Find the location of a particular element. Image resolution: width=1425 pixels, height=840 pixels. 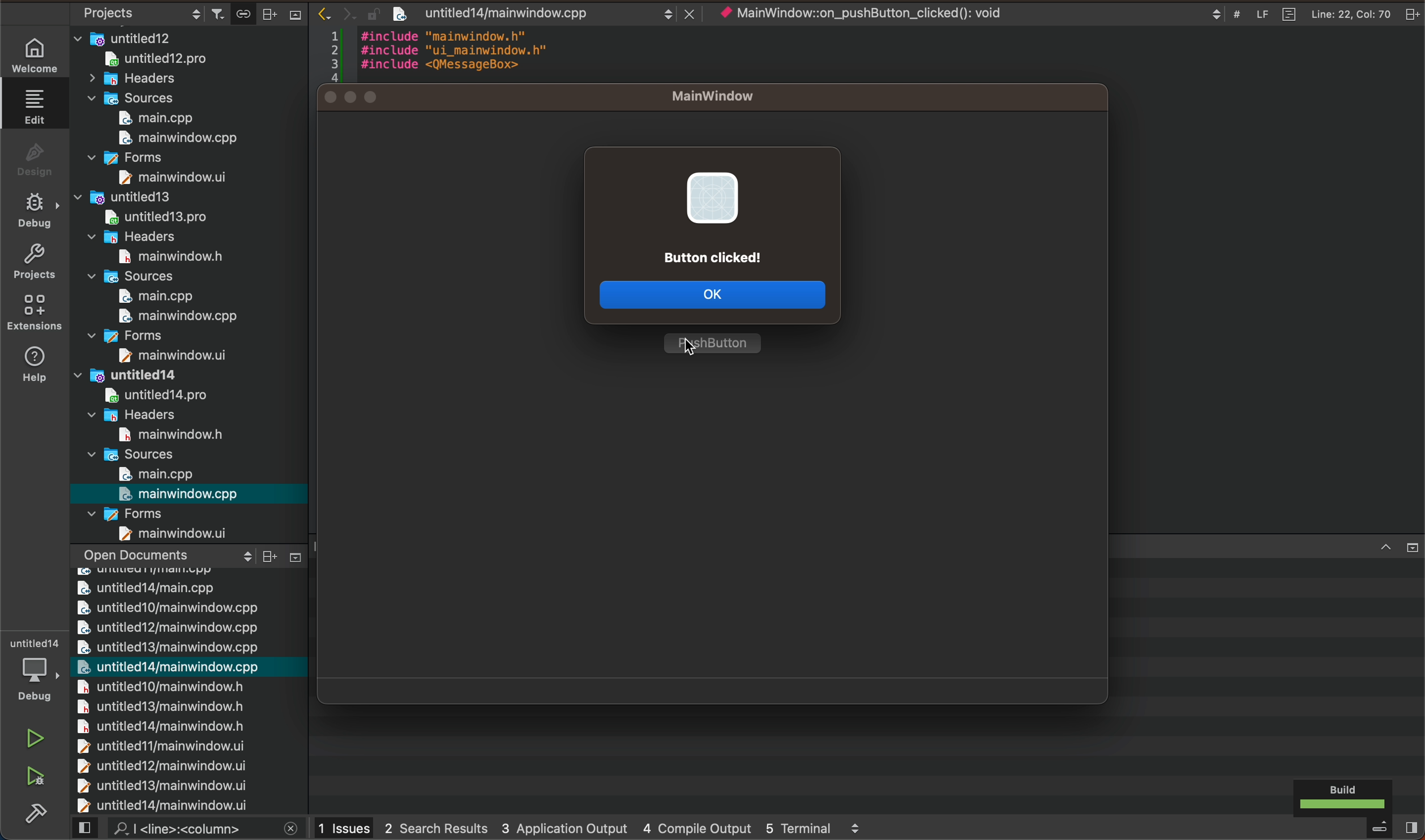

DE is located at coordinates (32, 212).